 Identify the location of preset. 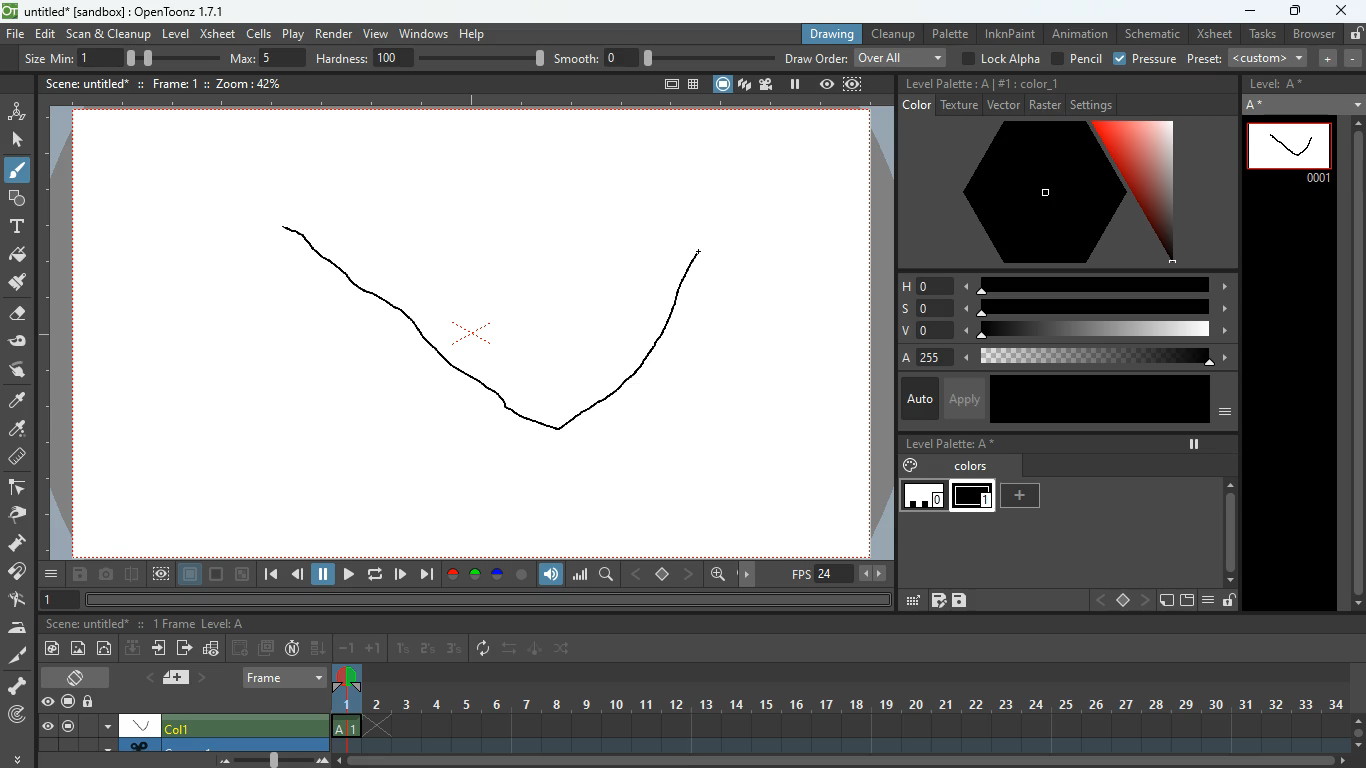
(1249, 58).